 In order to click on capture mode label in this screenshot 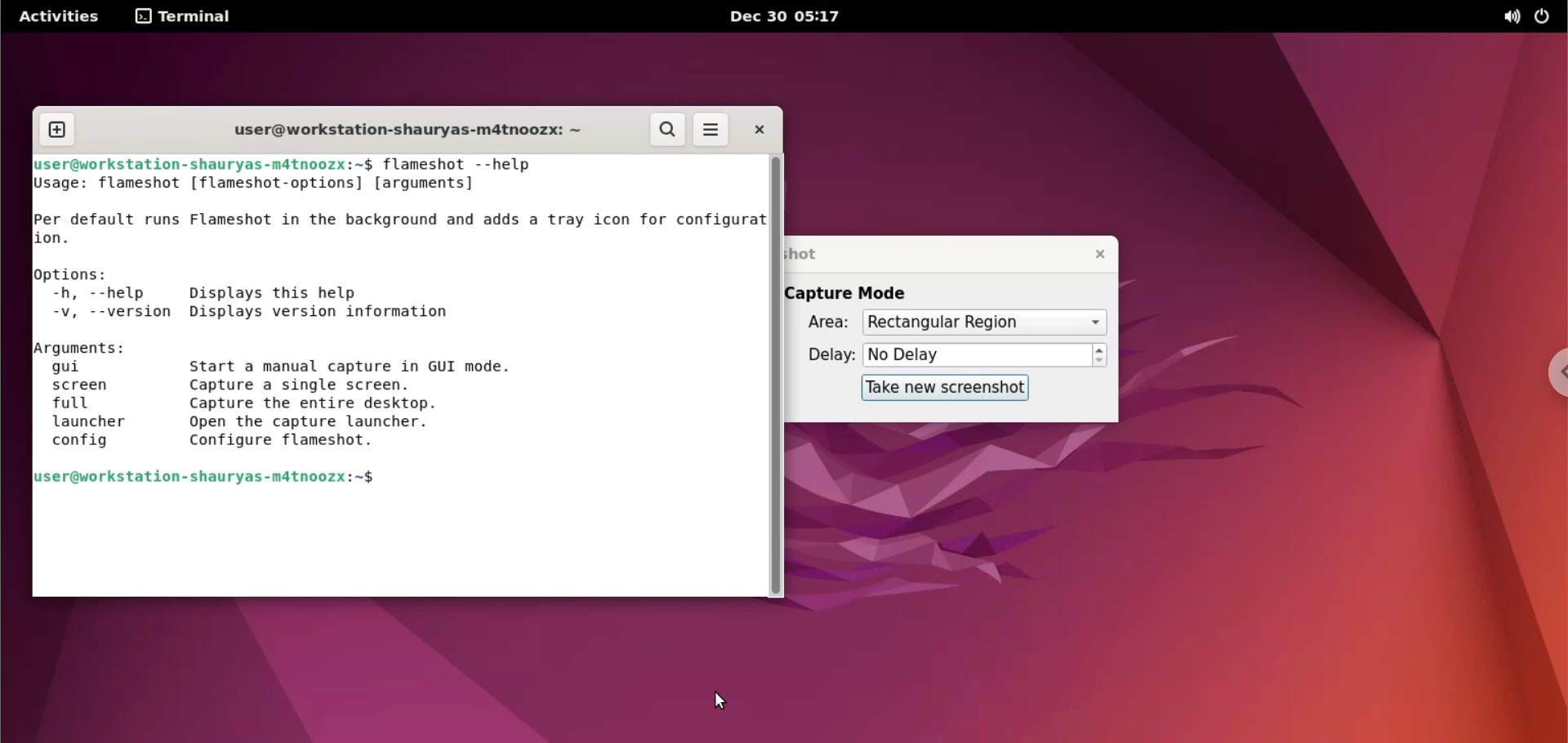, I will do `click(861, 293)`.